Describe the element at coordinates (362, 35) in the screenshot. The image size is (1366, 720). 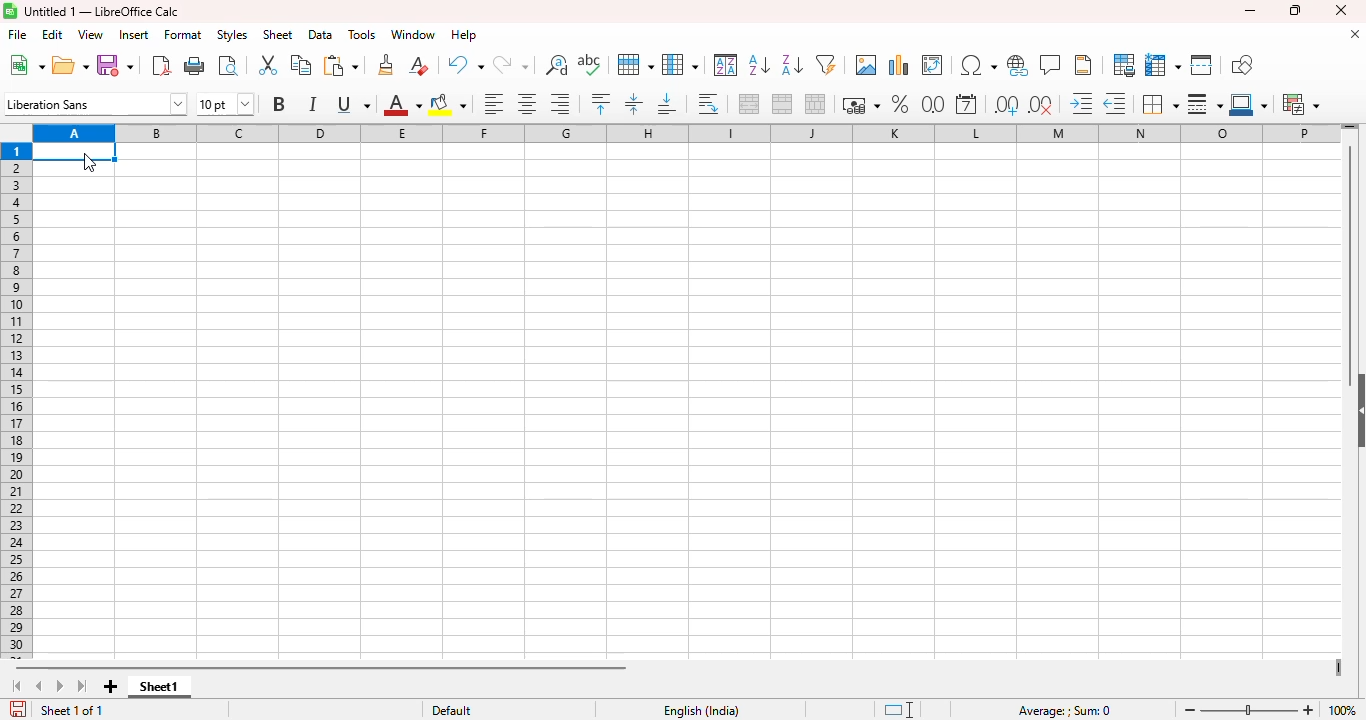
I see `tools` at that location.